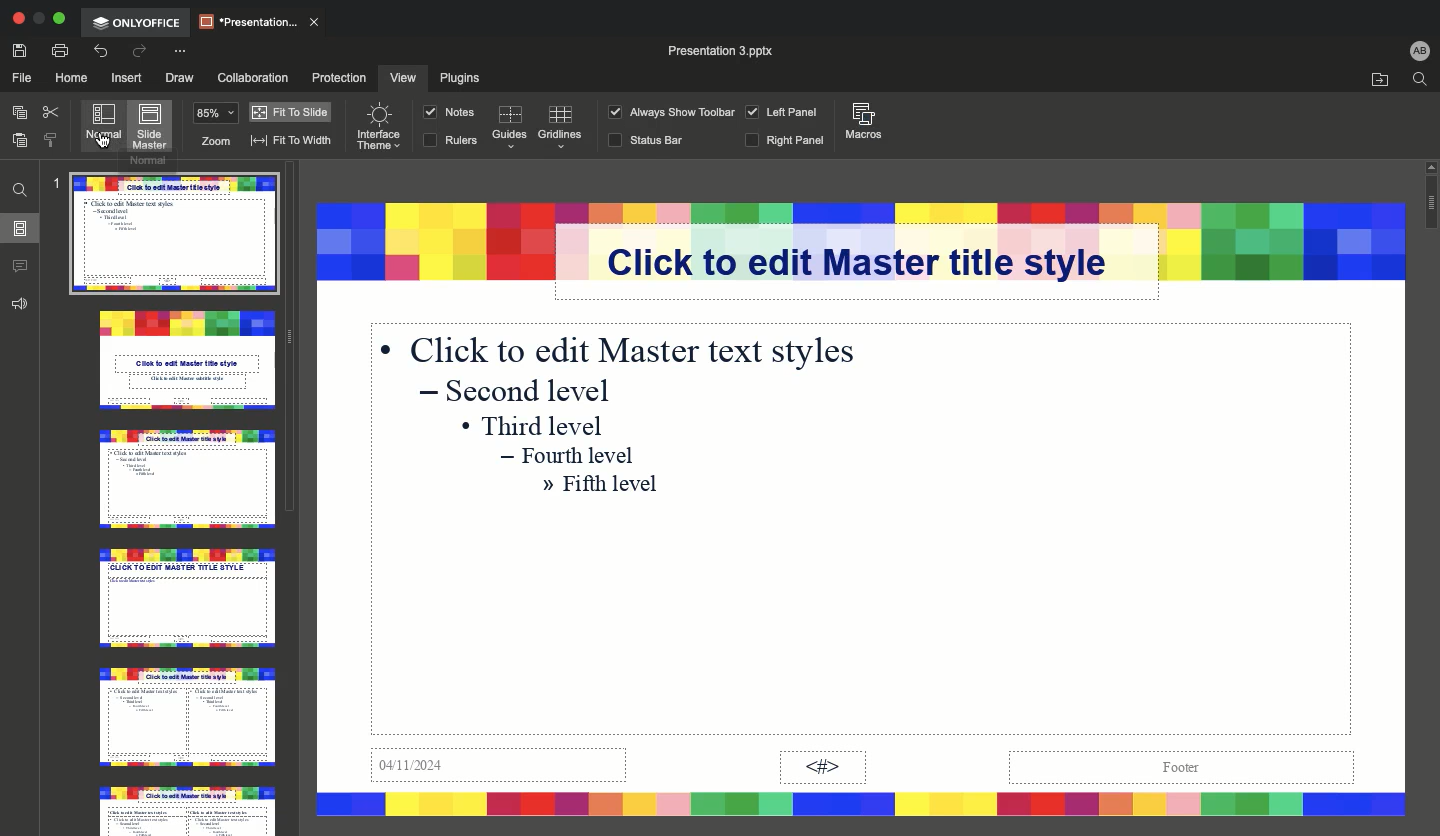 The image size is (1440, 836). I want to click on Layout master slide 3 with new layout, so click(185, 480).